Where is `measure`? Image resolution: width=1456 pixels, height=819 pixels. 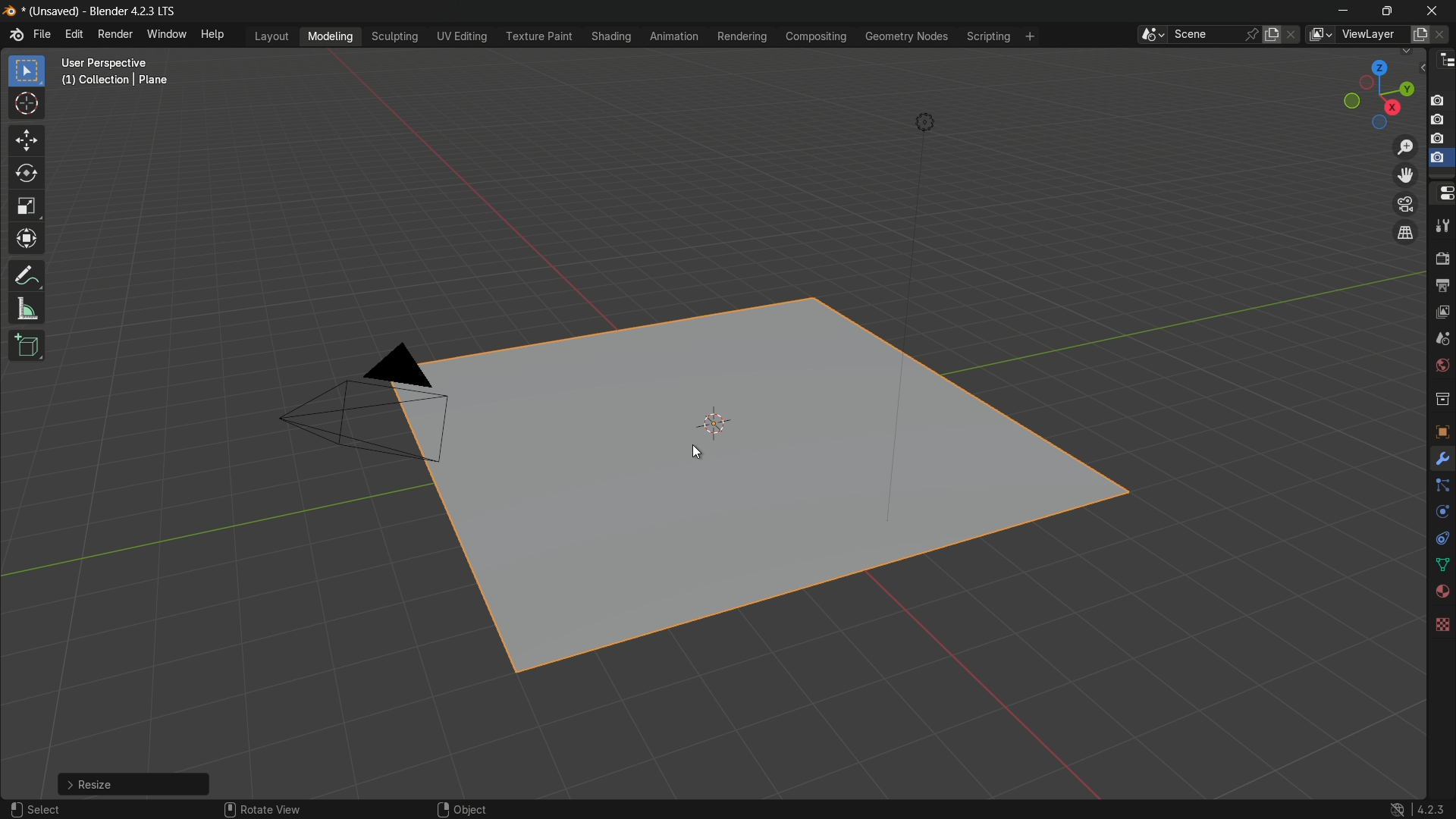 measure is located at coordinates (28, 312).